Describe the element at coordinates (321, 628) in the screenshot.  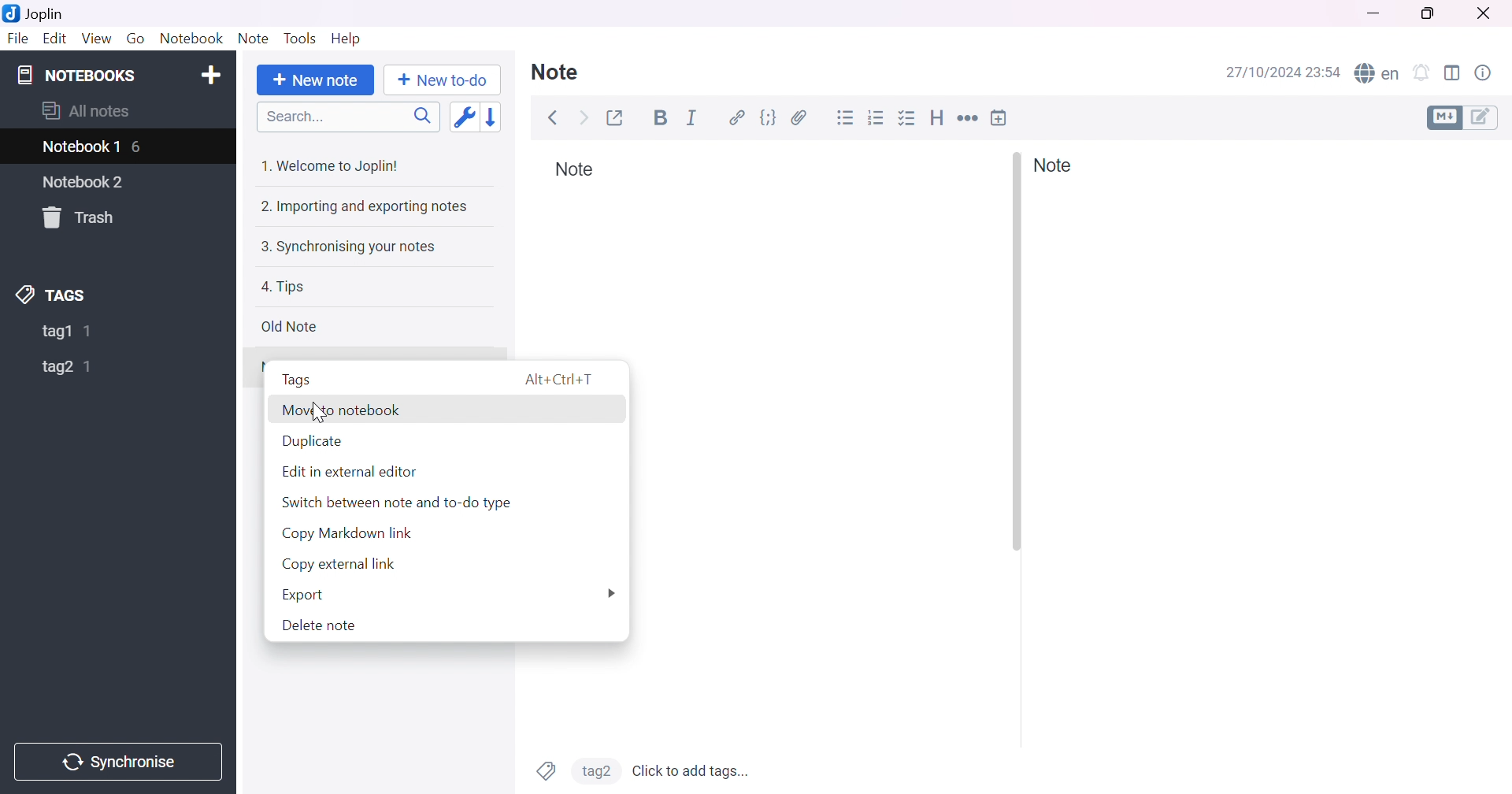
I see `Delete note` at that location.